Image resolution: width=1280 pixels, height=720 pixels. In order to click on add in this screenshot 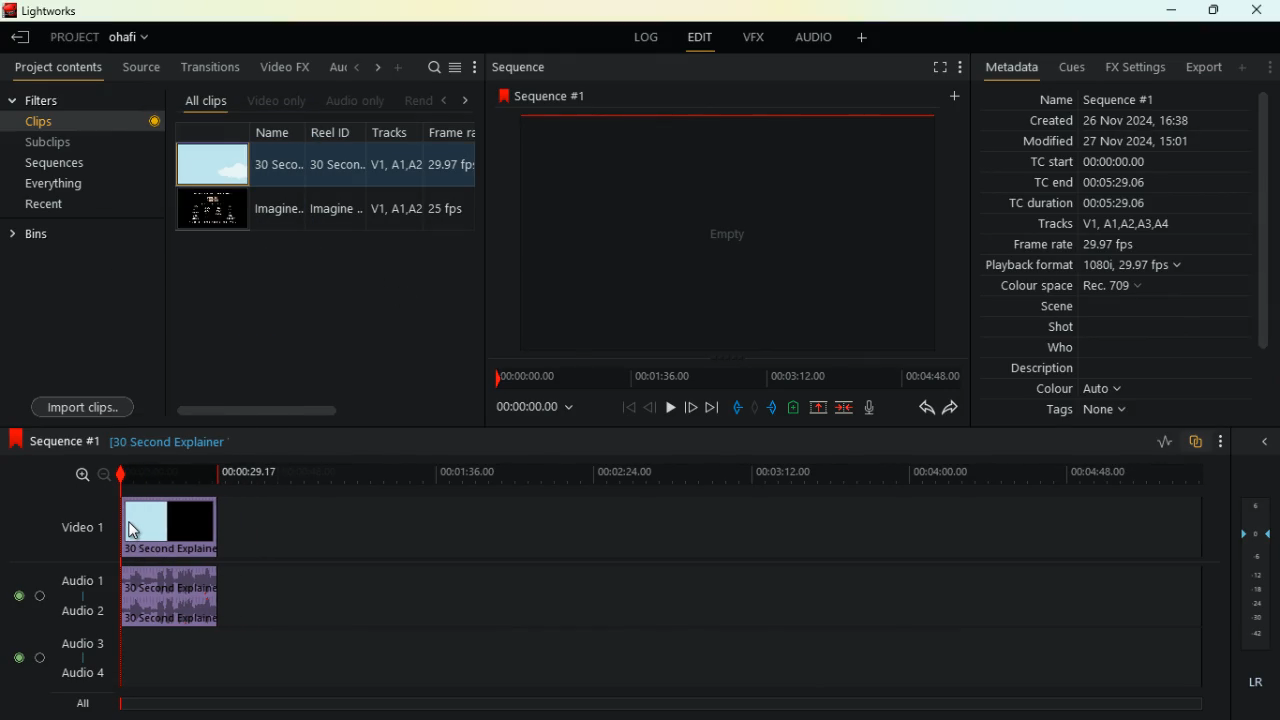, I will do `click(1241, 70)`.